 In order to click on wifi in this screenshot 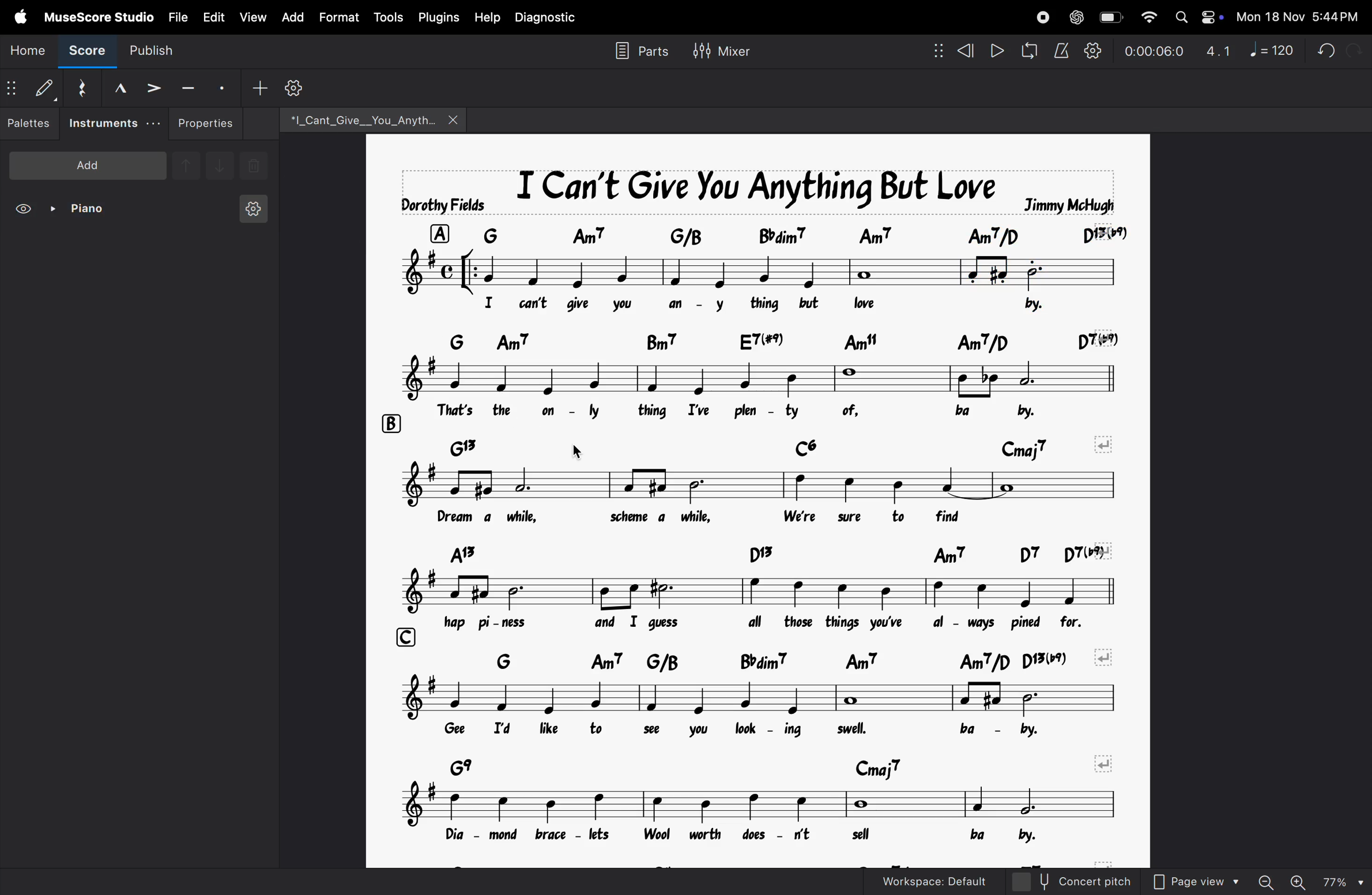, I will do `click(1147, 18)`.